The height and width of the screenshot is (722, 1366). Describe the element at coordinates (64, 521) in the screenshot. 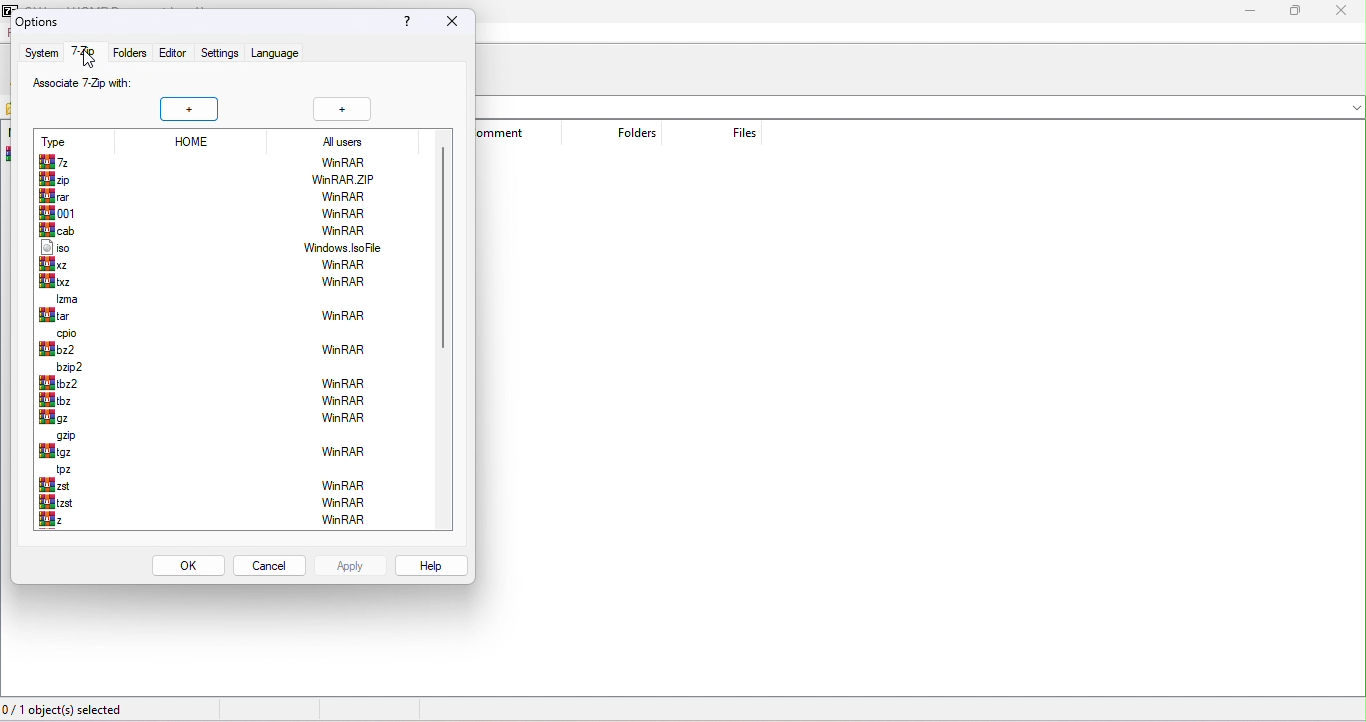

I see `z` at that location.